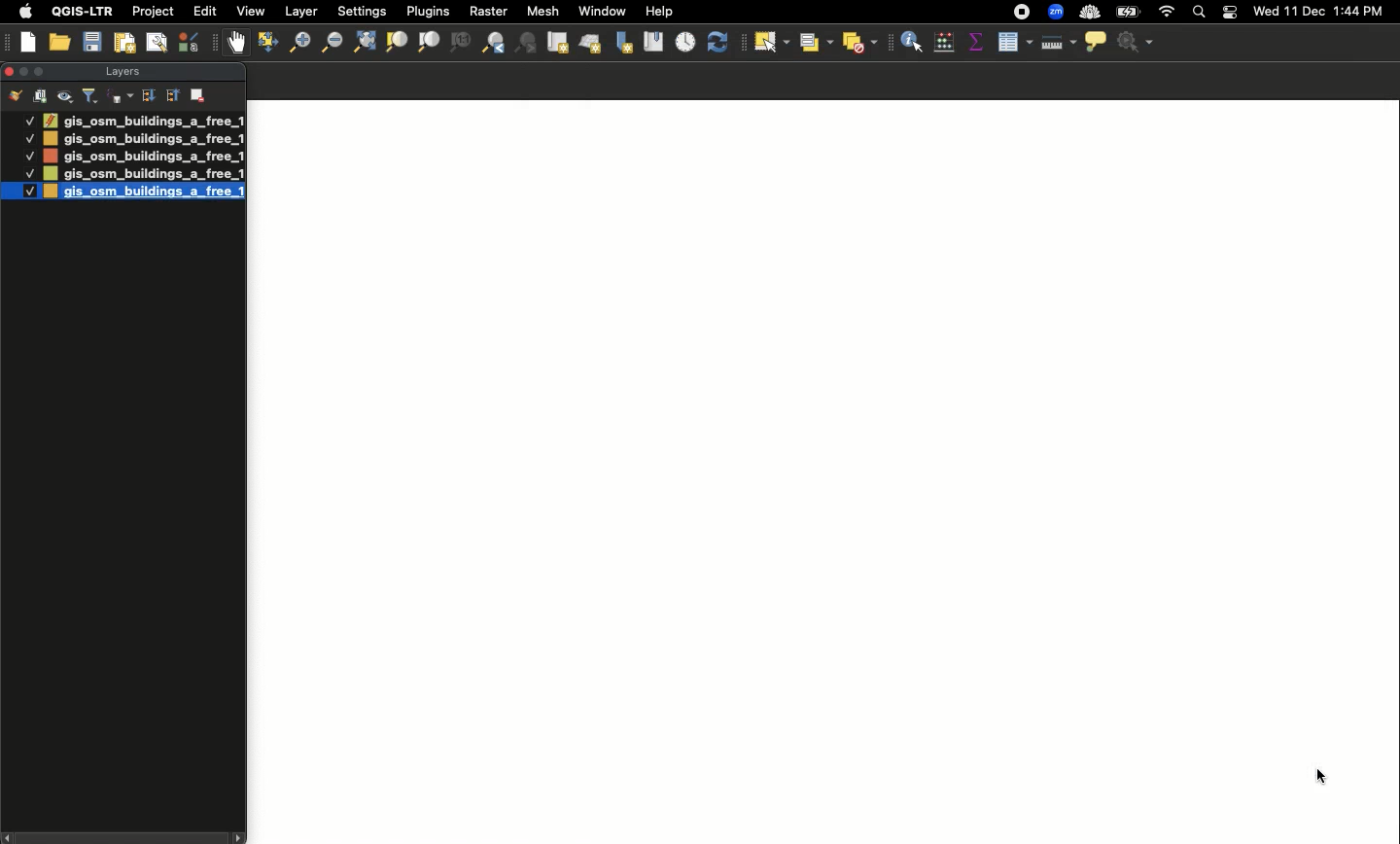 This screenshot has width=1400, height=844. What do you see at coordinates (144, 139) in the screenshot?
I see `gis_osm_buildings_a_free_1` at bounding box center [144, 139].